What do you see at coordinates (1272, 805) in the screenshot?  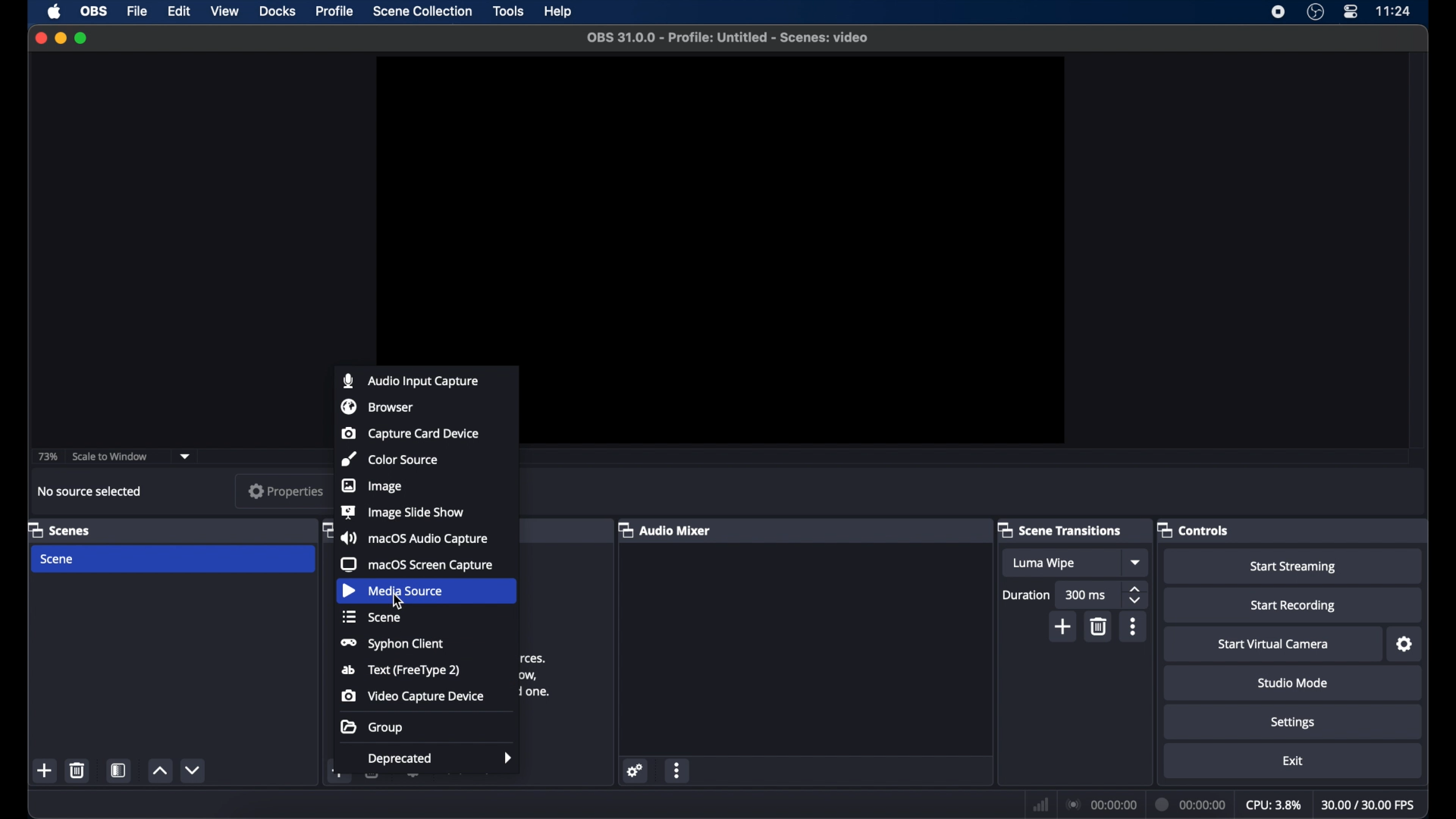 I see `cpu` at bounding box center [1272, 805].